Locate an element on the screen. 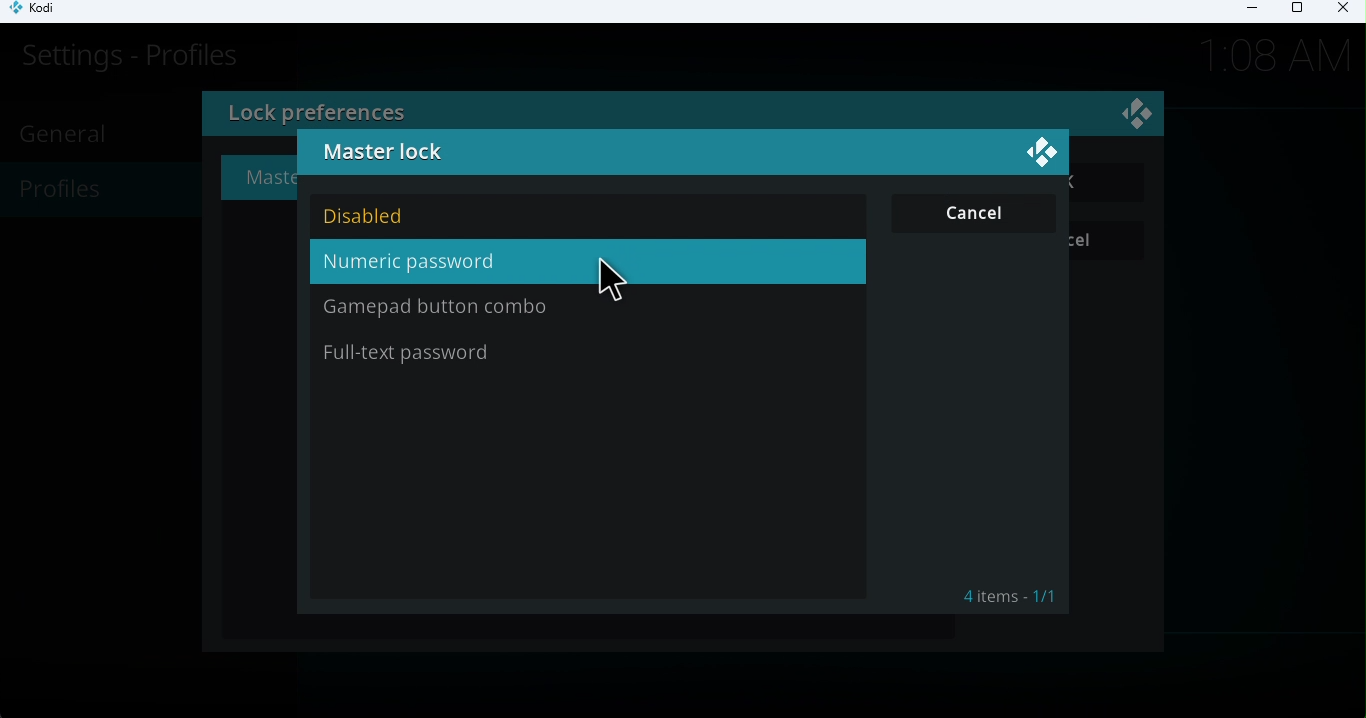 The image size is (1366, 718). Cancel is located at coordinates (972, 213).